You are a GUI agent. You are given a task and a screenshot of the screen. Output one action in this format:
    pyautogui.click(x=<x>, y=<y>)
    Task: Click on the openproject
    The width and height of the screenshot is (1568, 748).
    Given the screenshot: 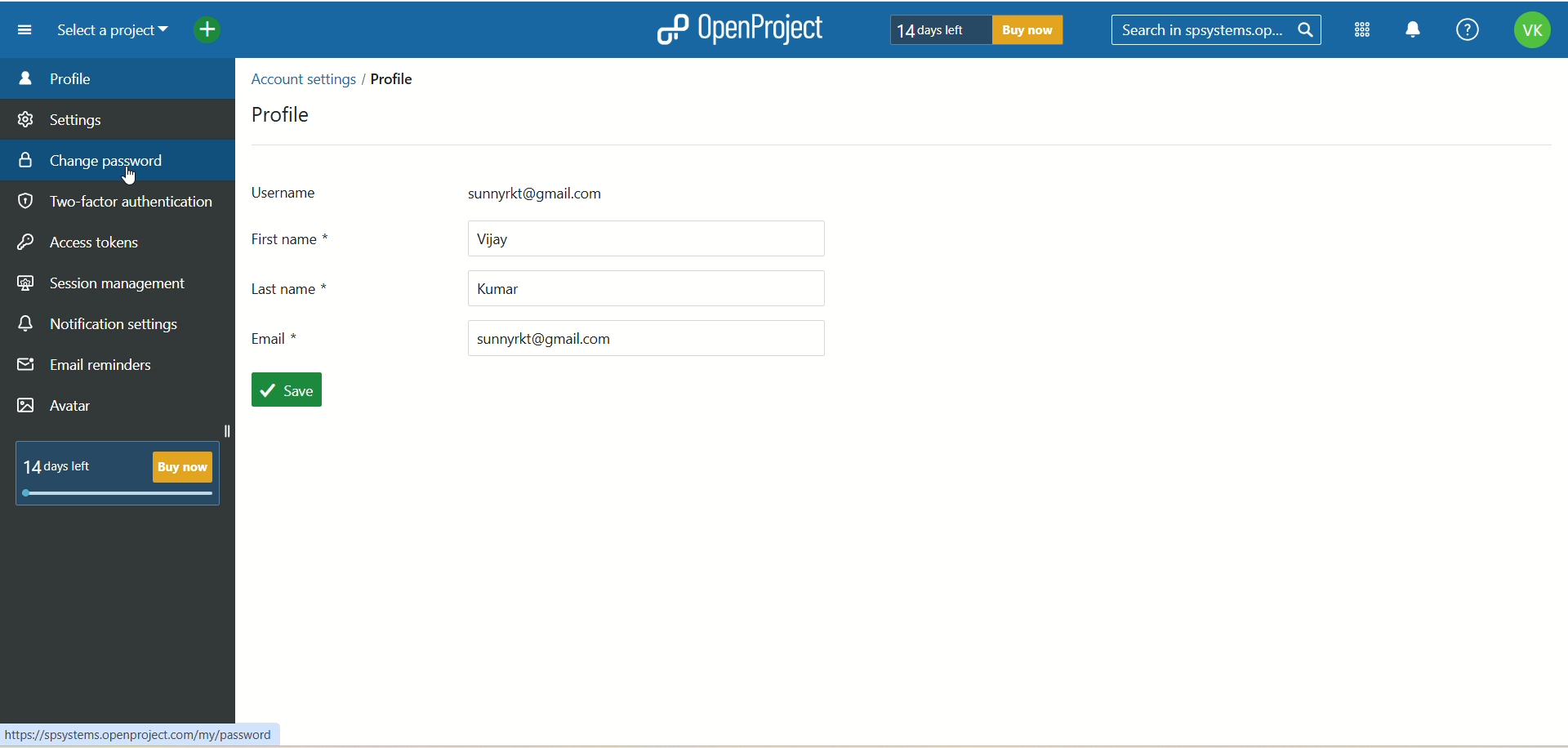 What is the action you would take?
    pyautogui.click(x=736, y=29)
    